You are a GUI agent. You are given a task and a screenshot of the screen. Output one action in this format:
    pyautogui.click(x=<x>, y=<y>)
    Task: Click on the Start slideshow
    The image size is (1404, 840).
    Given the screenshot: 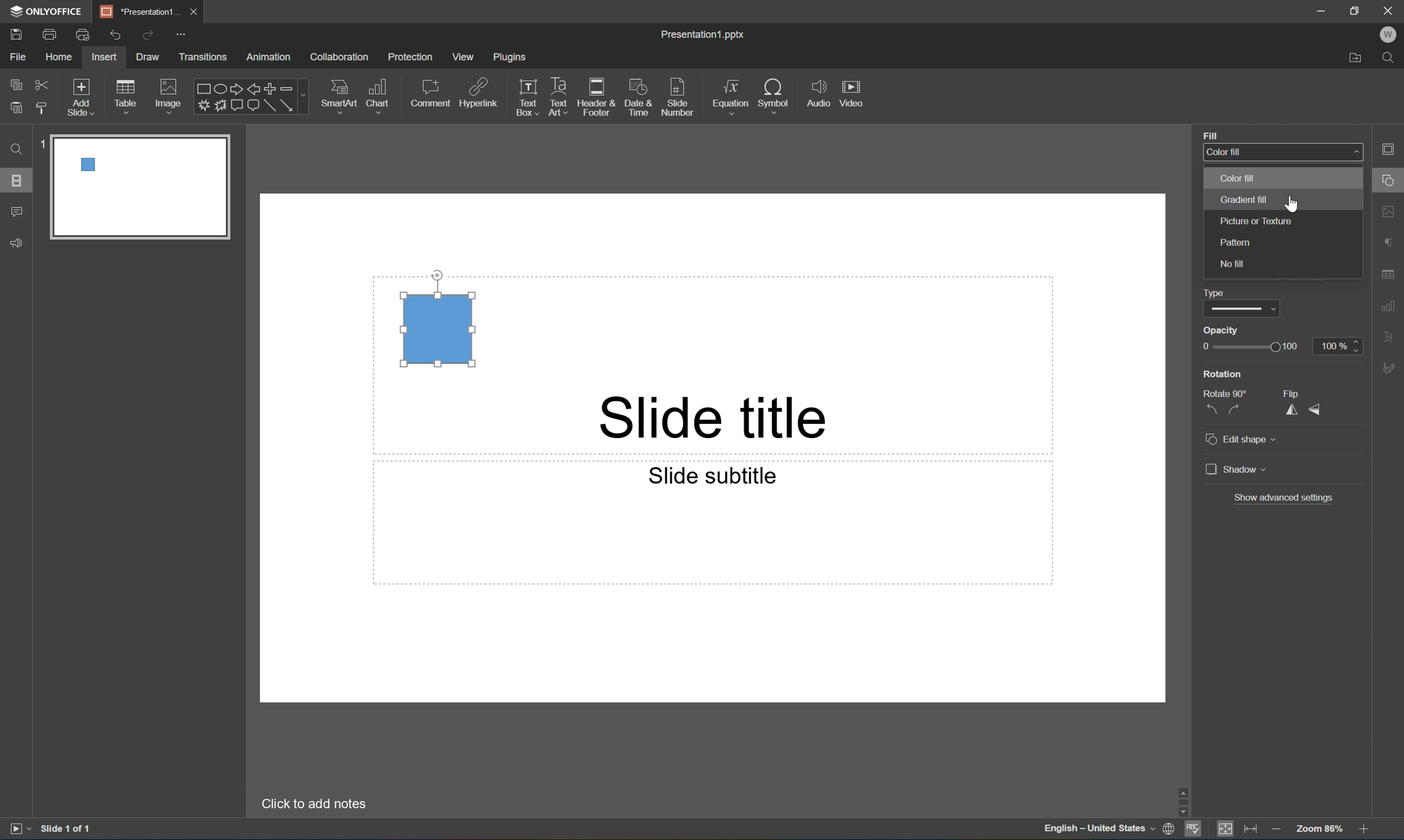 What is the action you would take?
    pyautogui.click(x=19, y=829)
    